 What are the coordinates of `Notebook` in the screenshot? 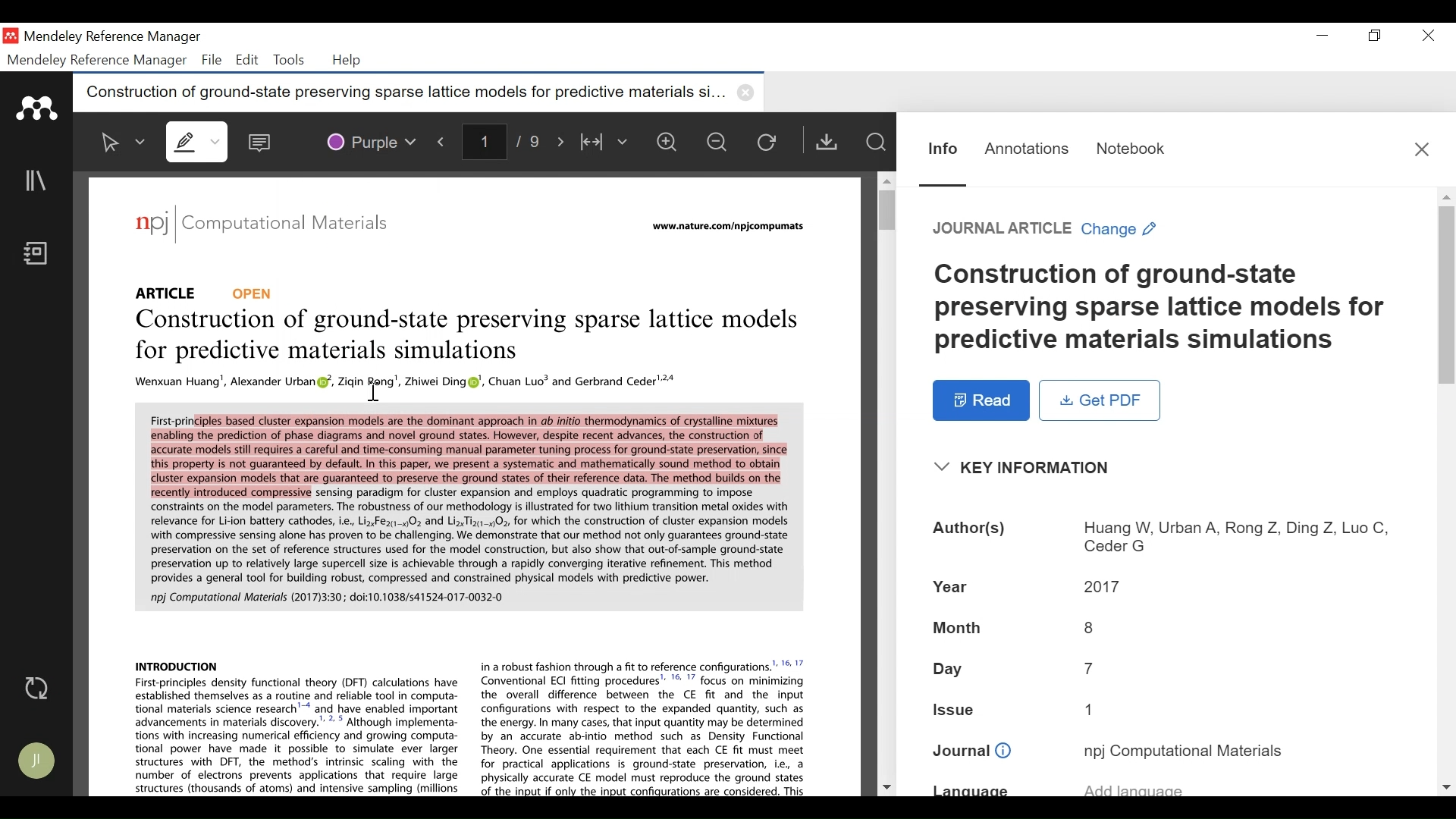 It's located at (38, 255).